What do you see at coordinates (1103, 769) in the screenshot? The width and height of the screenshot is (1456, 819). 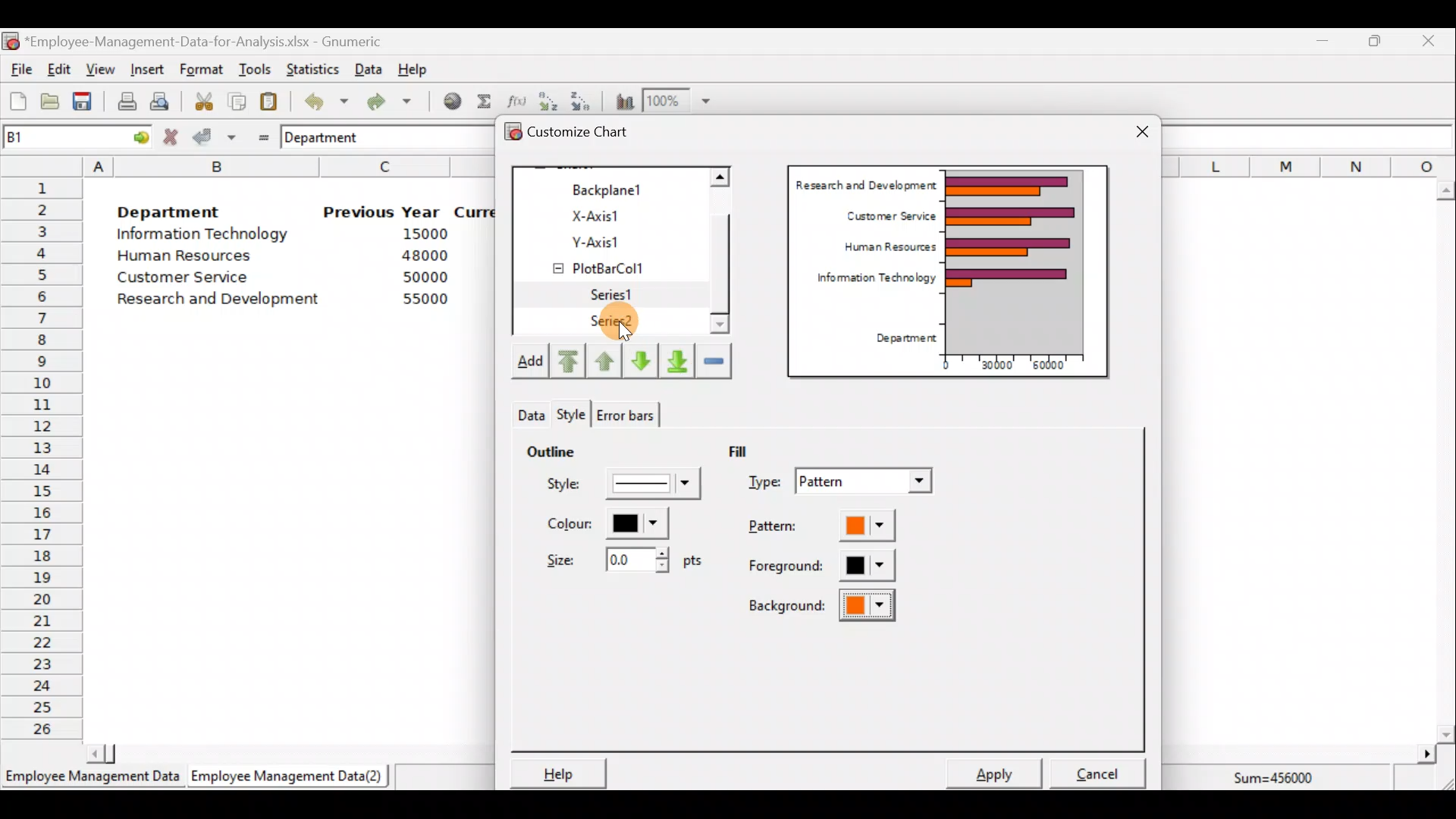 I see `Cancel` at bounding box center [1103, 769].